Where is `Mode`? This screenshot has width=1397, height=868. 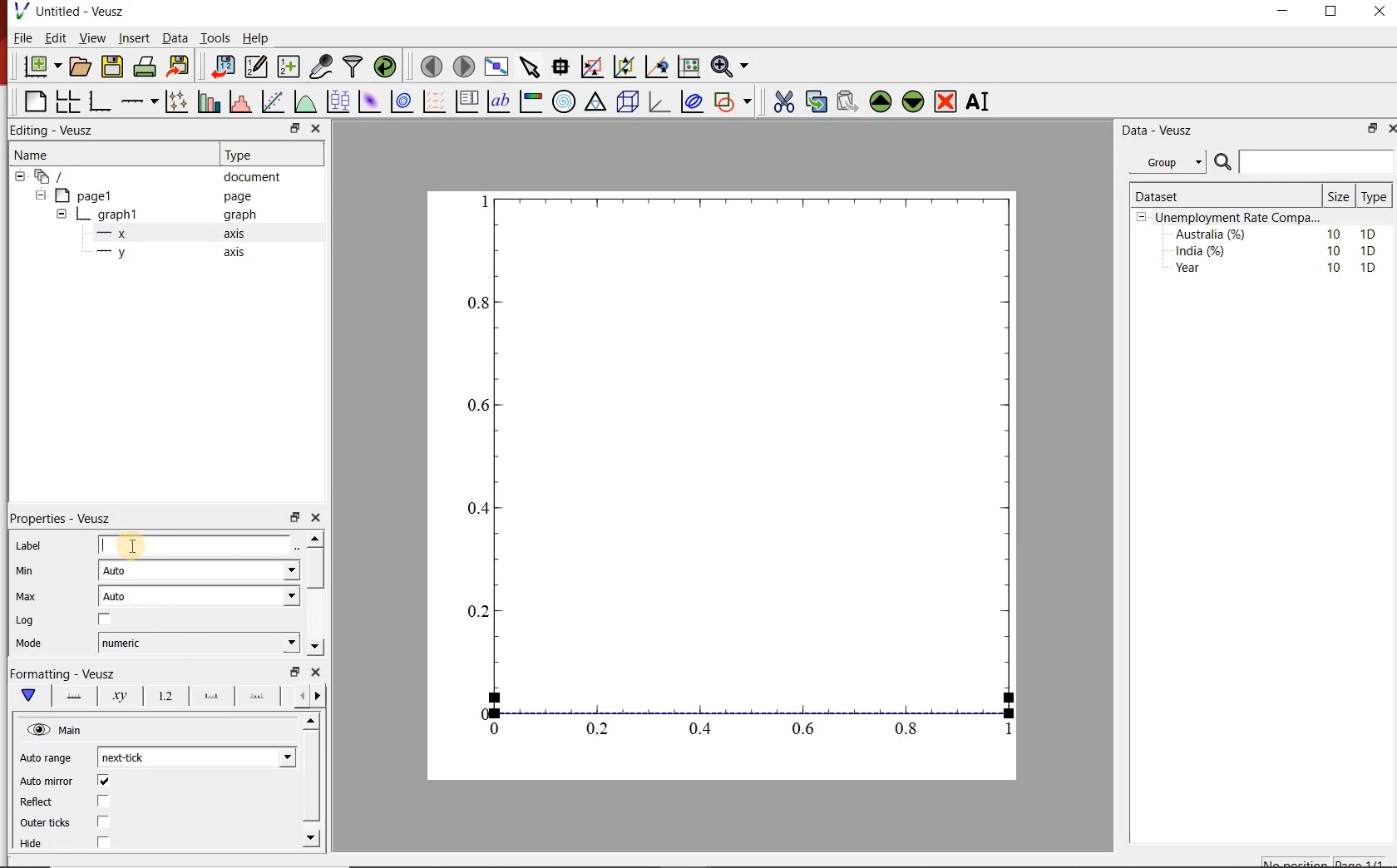
Mode is located at coordinates (41, 645).